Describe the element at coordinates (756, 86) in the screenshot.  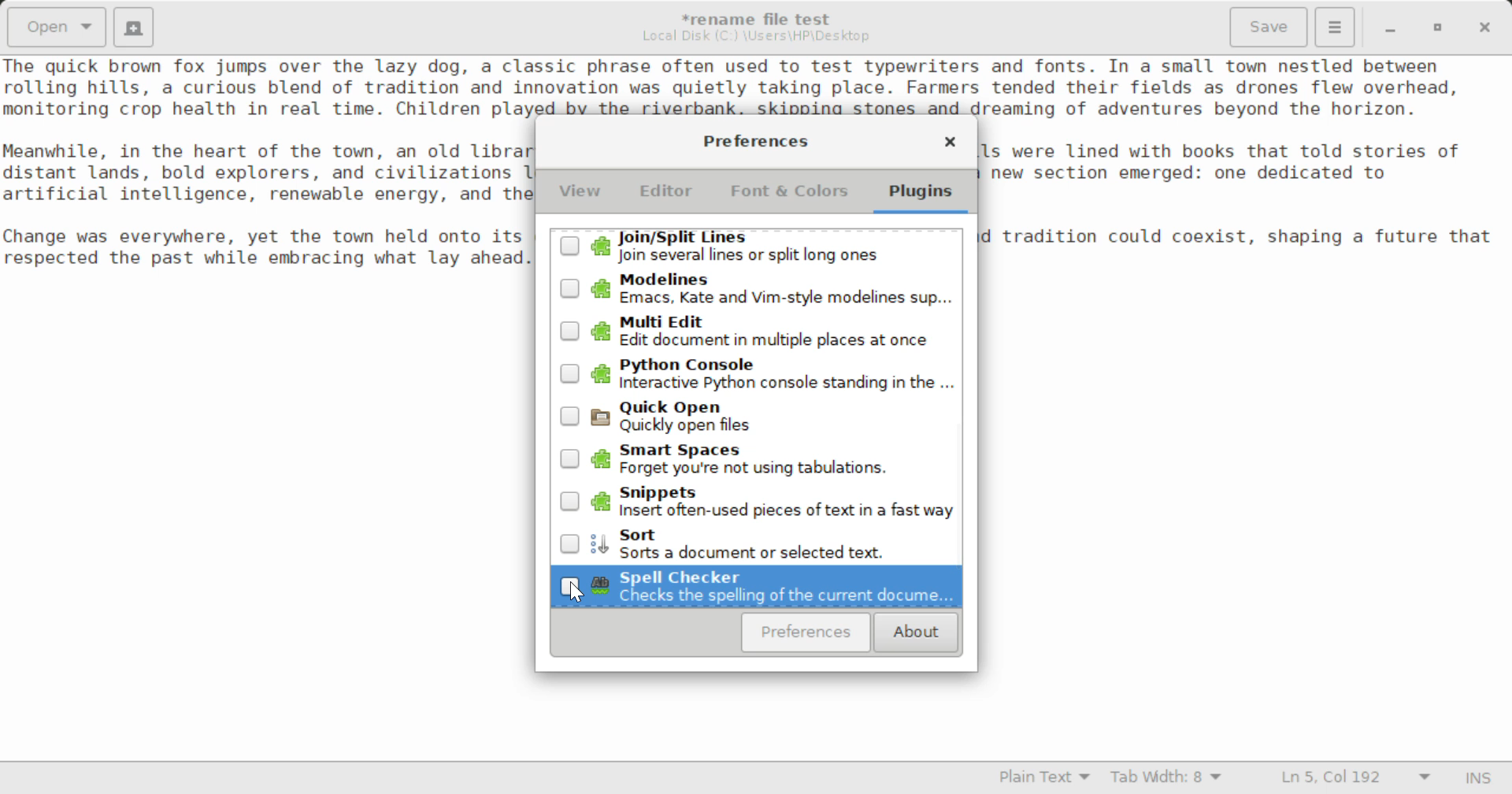
I see `Sample text about a charming town` at that location.